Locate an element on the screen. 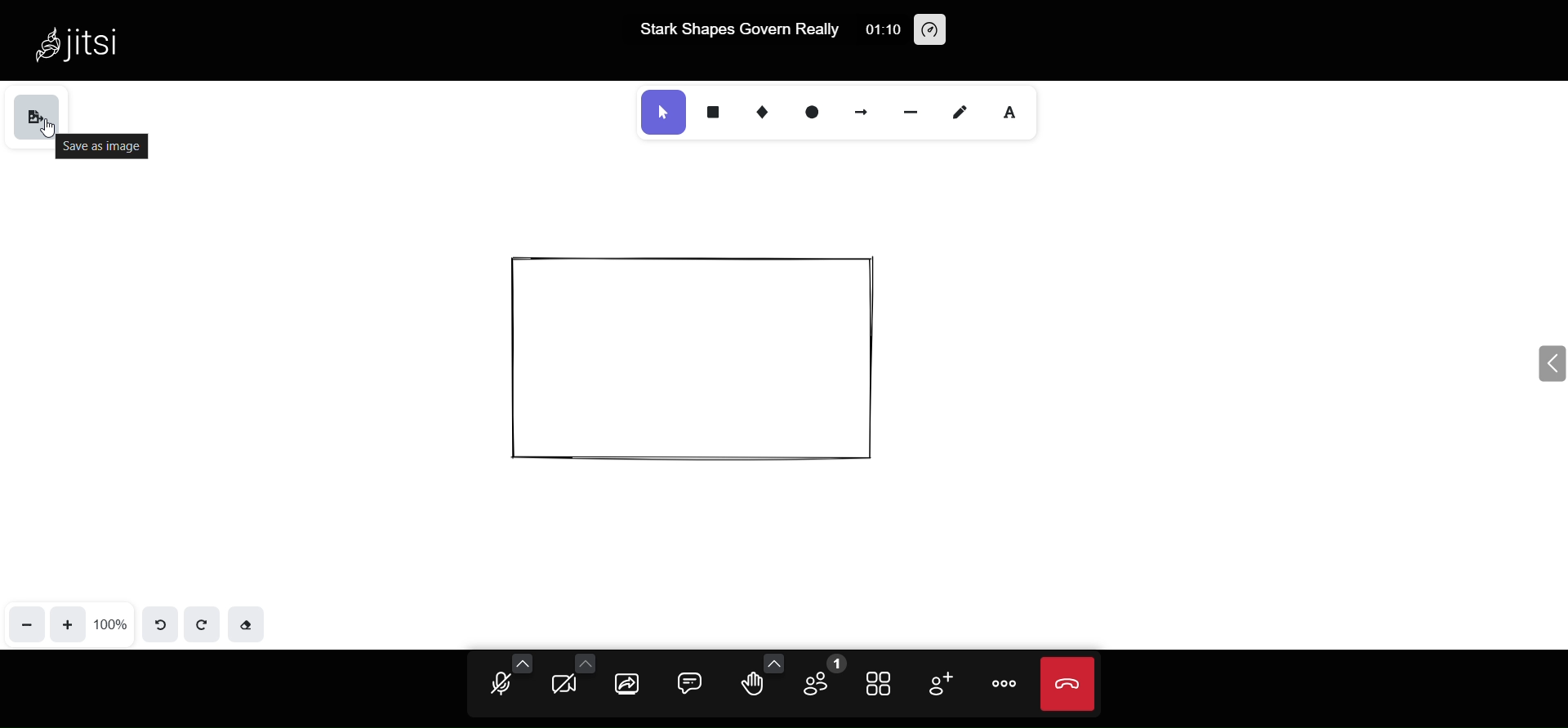  more is located at coordinates (1003, 681).